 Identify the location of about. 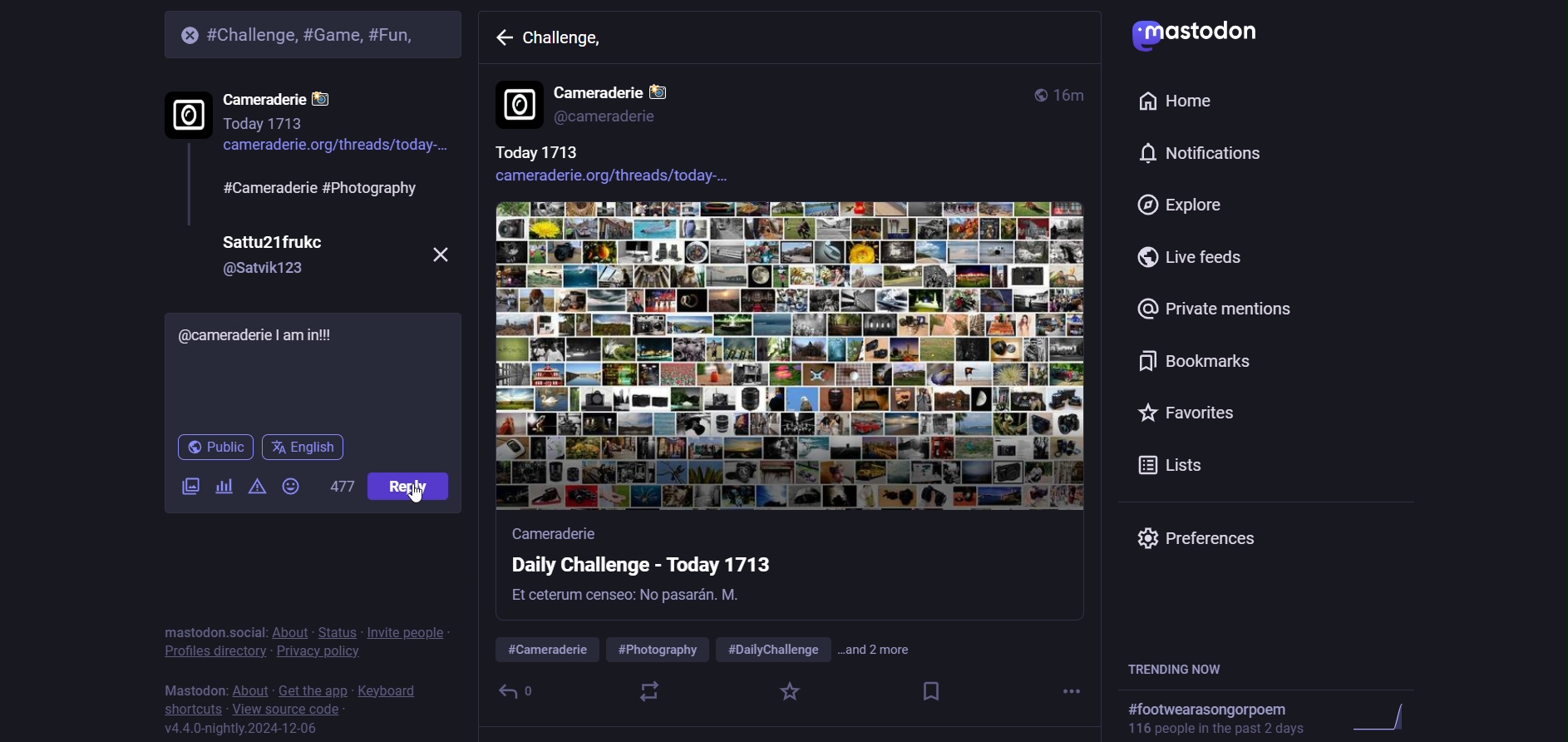
(251, 686).